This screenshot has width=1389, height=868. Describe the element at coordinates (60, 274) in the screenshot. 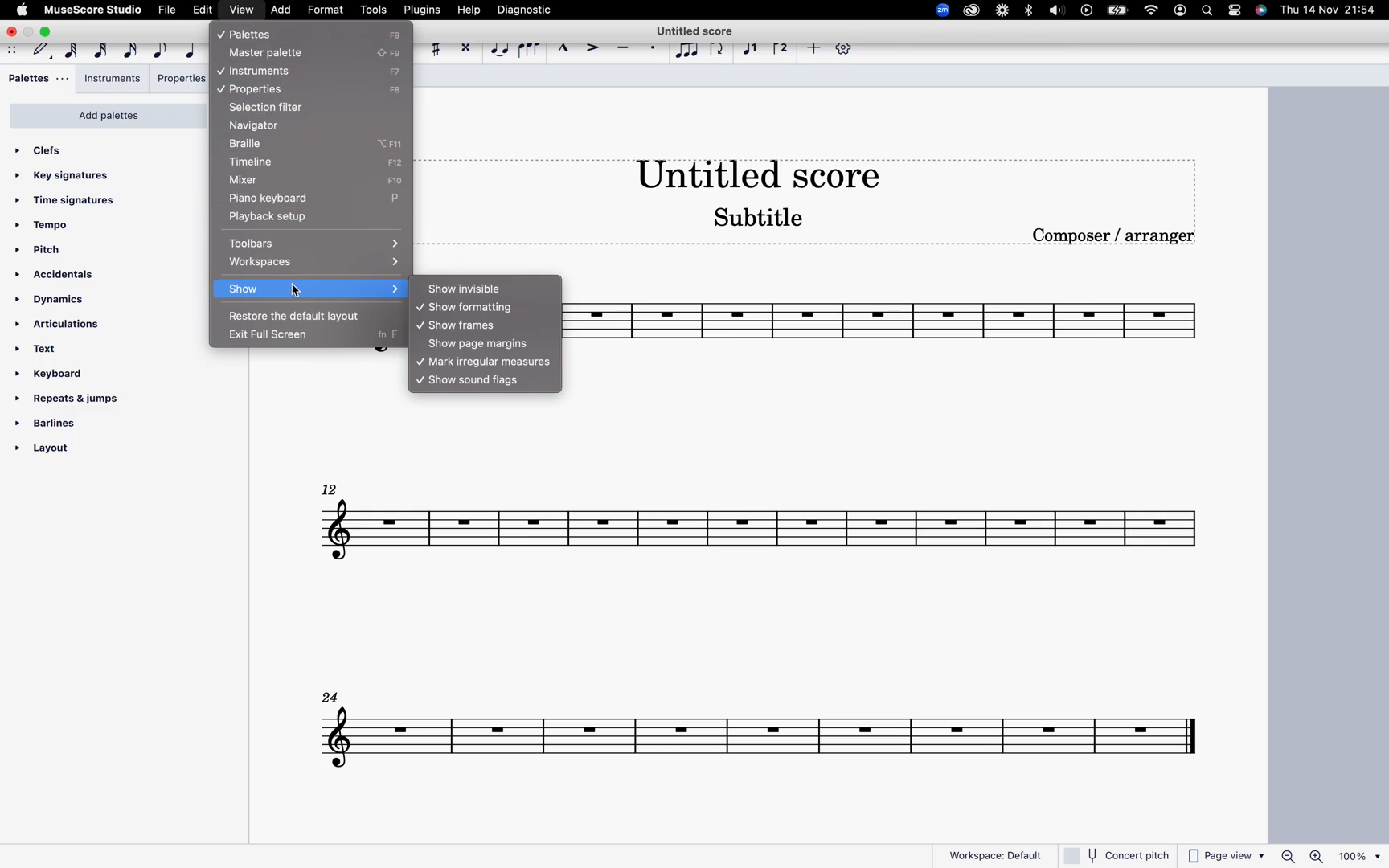

I see `accidentals` at that location.